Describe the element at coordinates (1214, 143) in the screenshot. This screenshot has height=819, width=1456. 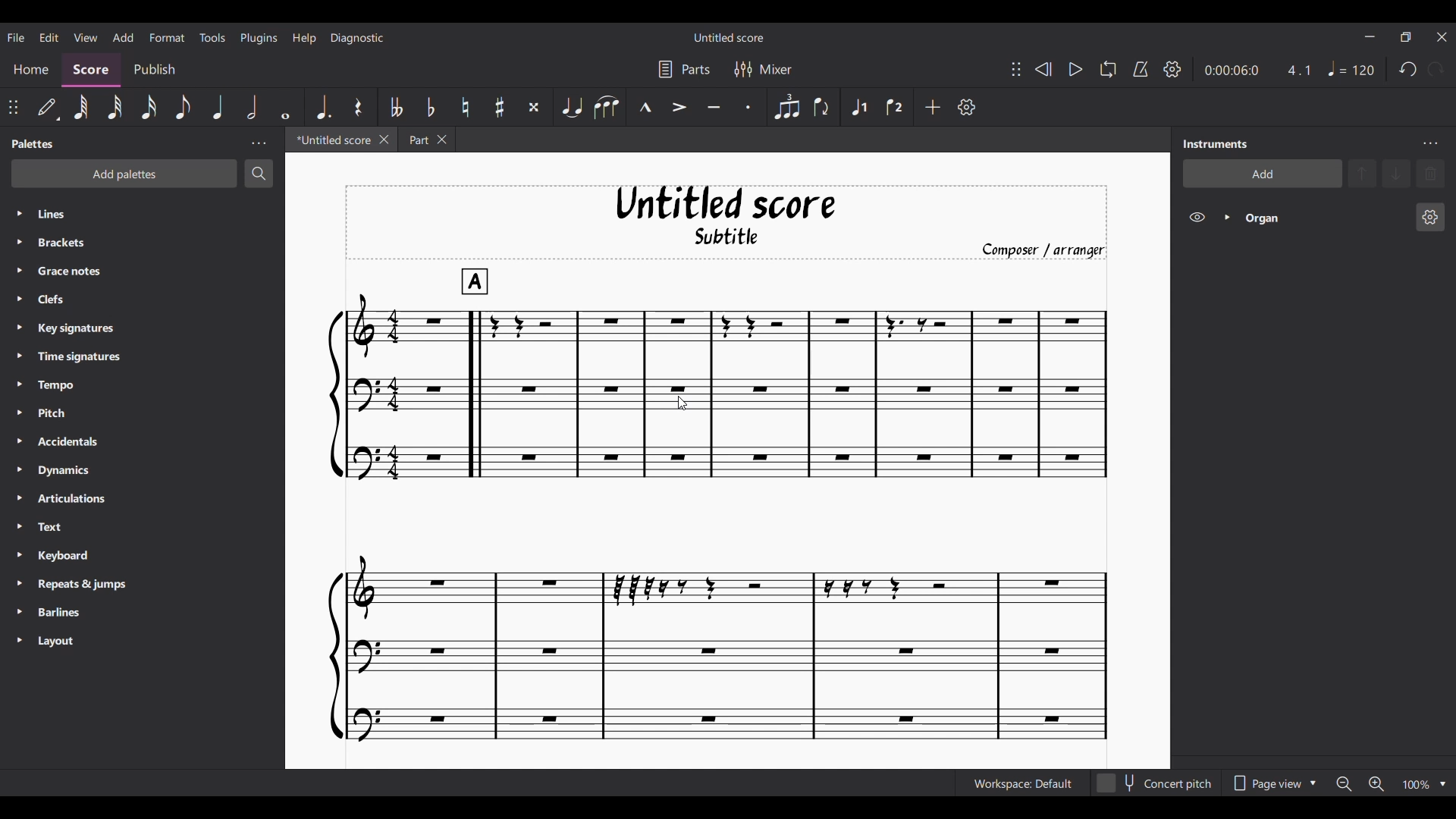
I see `Panel title` at that location.